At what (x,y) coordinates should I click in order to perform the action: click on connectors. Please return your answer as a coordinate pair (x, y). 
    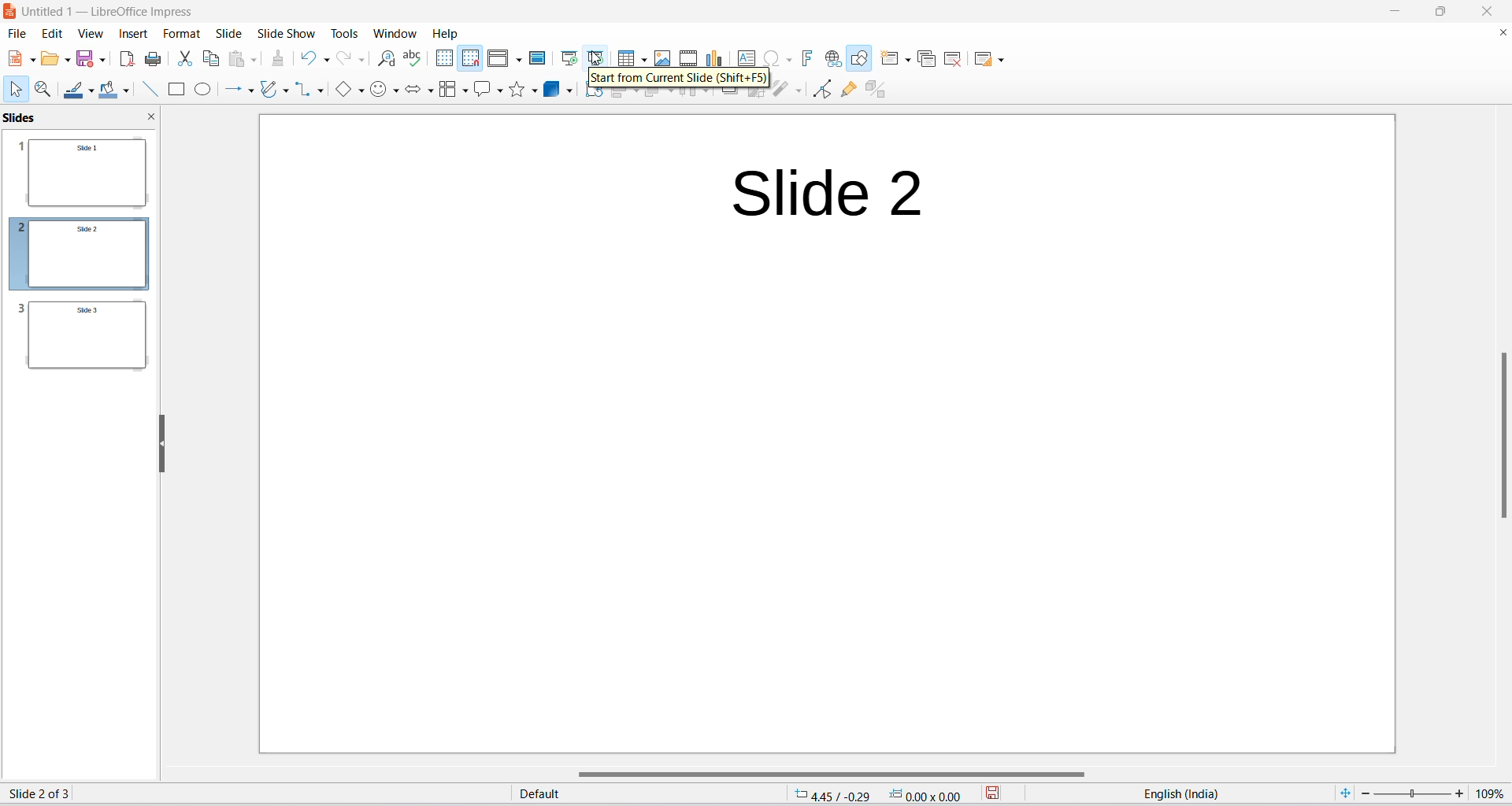
    Looking at the image, I should click on (301, 93).